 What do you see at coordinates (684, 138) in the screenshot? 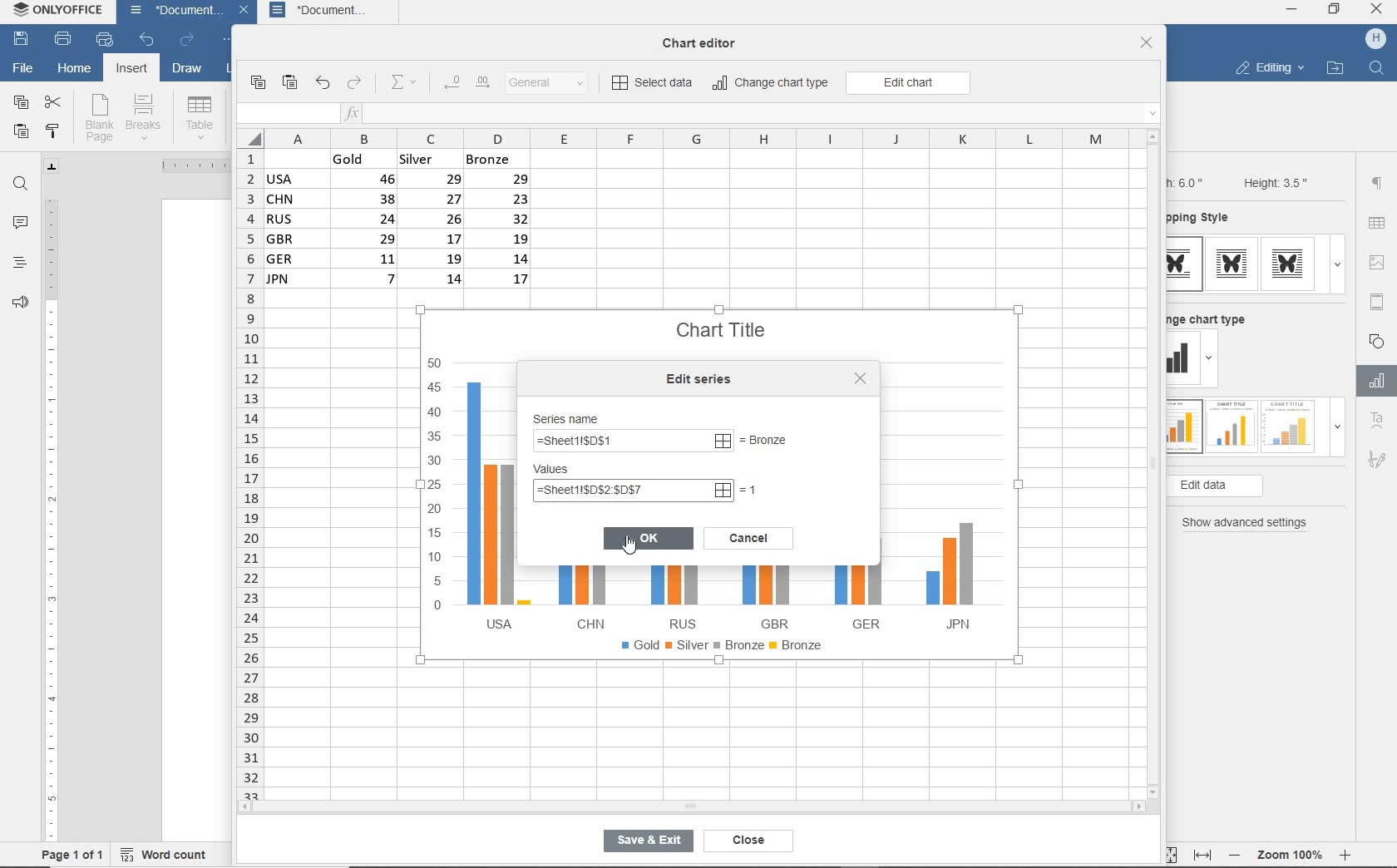
I see `columns` at bounding box center [684, 138].